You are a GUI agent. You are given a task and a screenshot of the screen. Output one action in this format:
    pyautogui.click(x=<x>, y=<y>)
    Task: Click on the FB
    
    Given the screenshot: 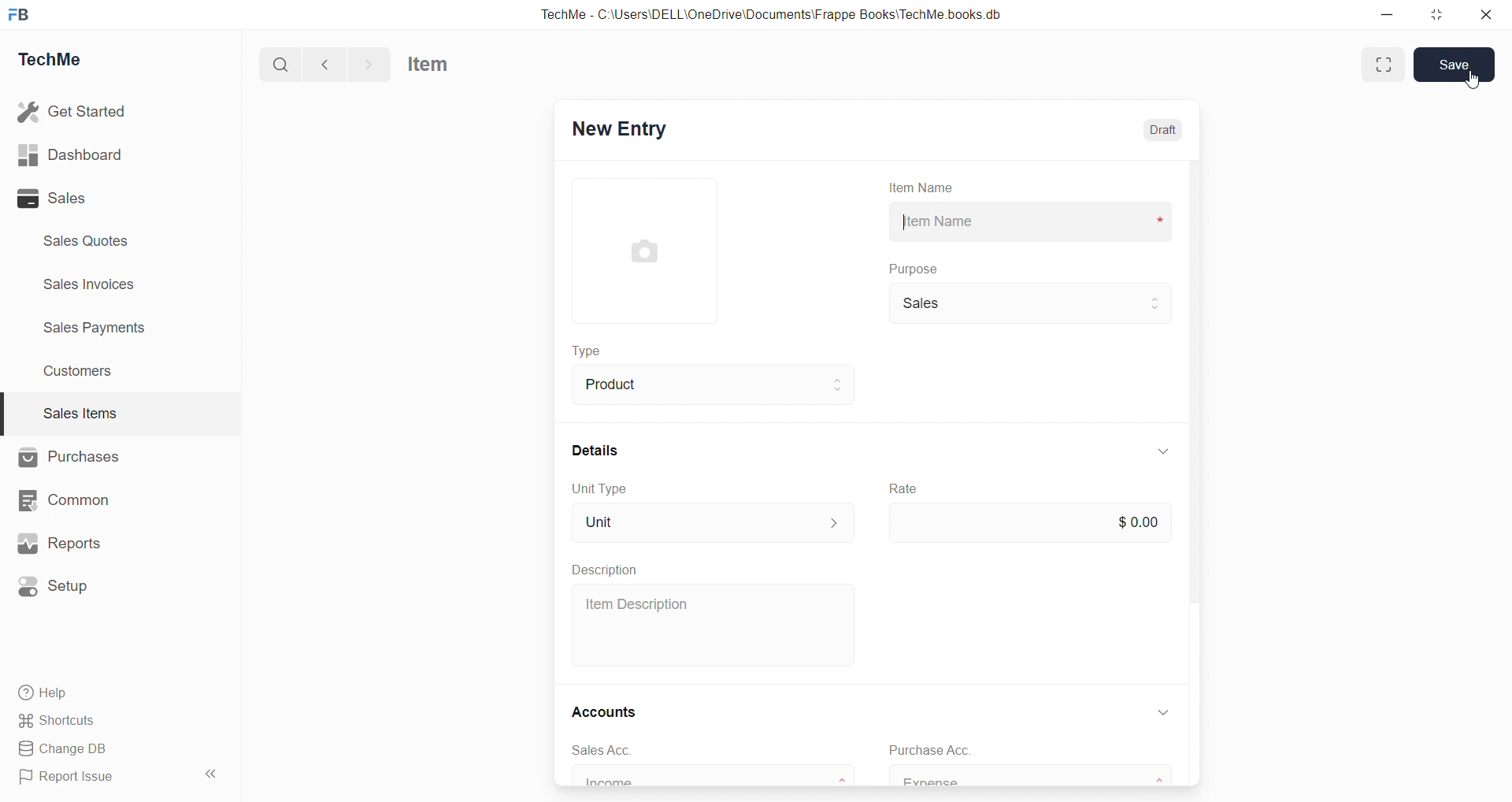 What is the action you would take?
    pyautogui.click(x=22, y=14)
    